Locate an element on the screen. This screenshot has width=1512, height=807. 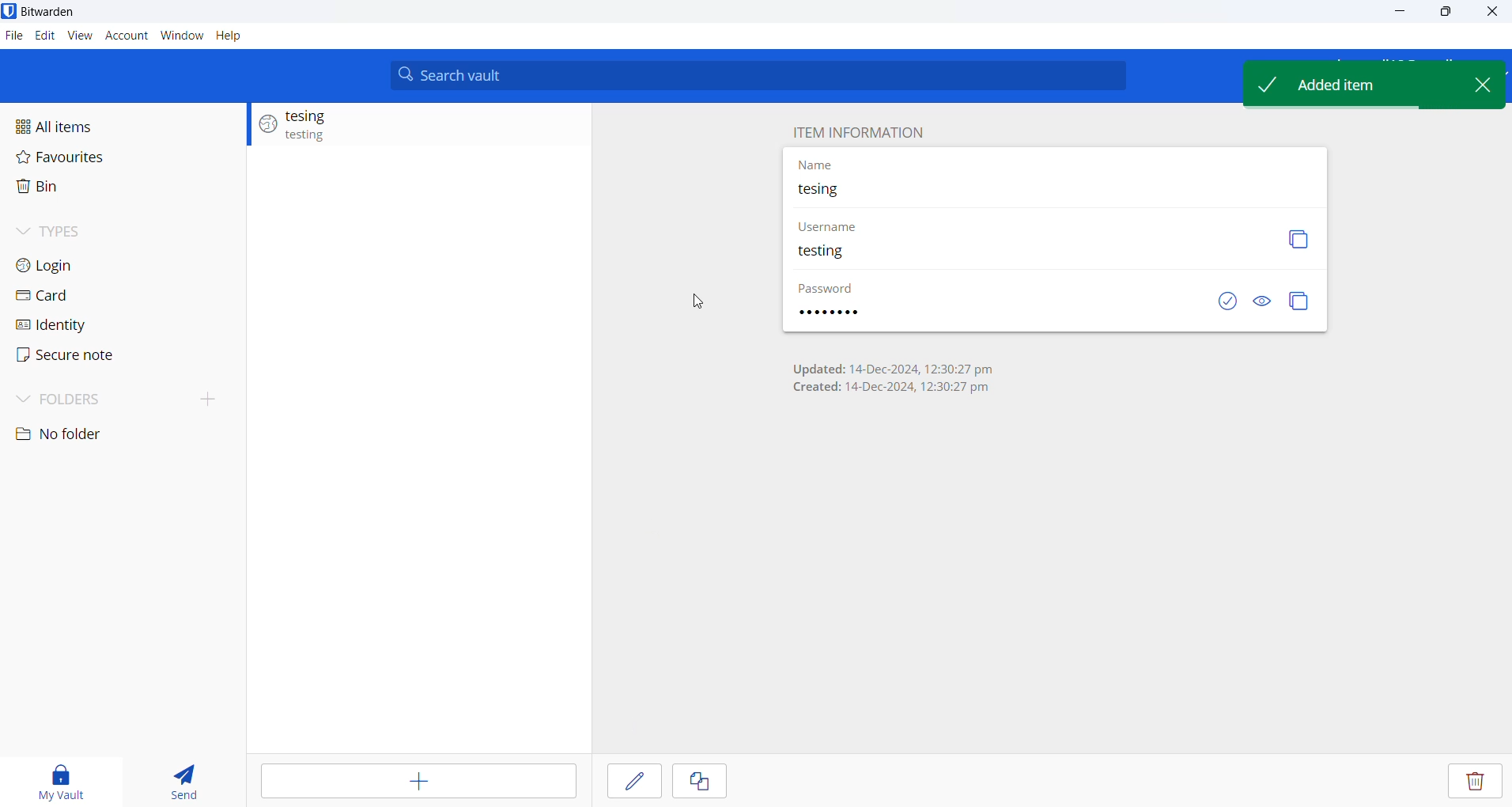
ENTERED PASSWORD is located at coordinates (842, 317).